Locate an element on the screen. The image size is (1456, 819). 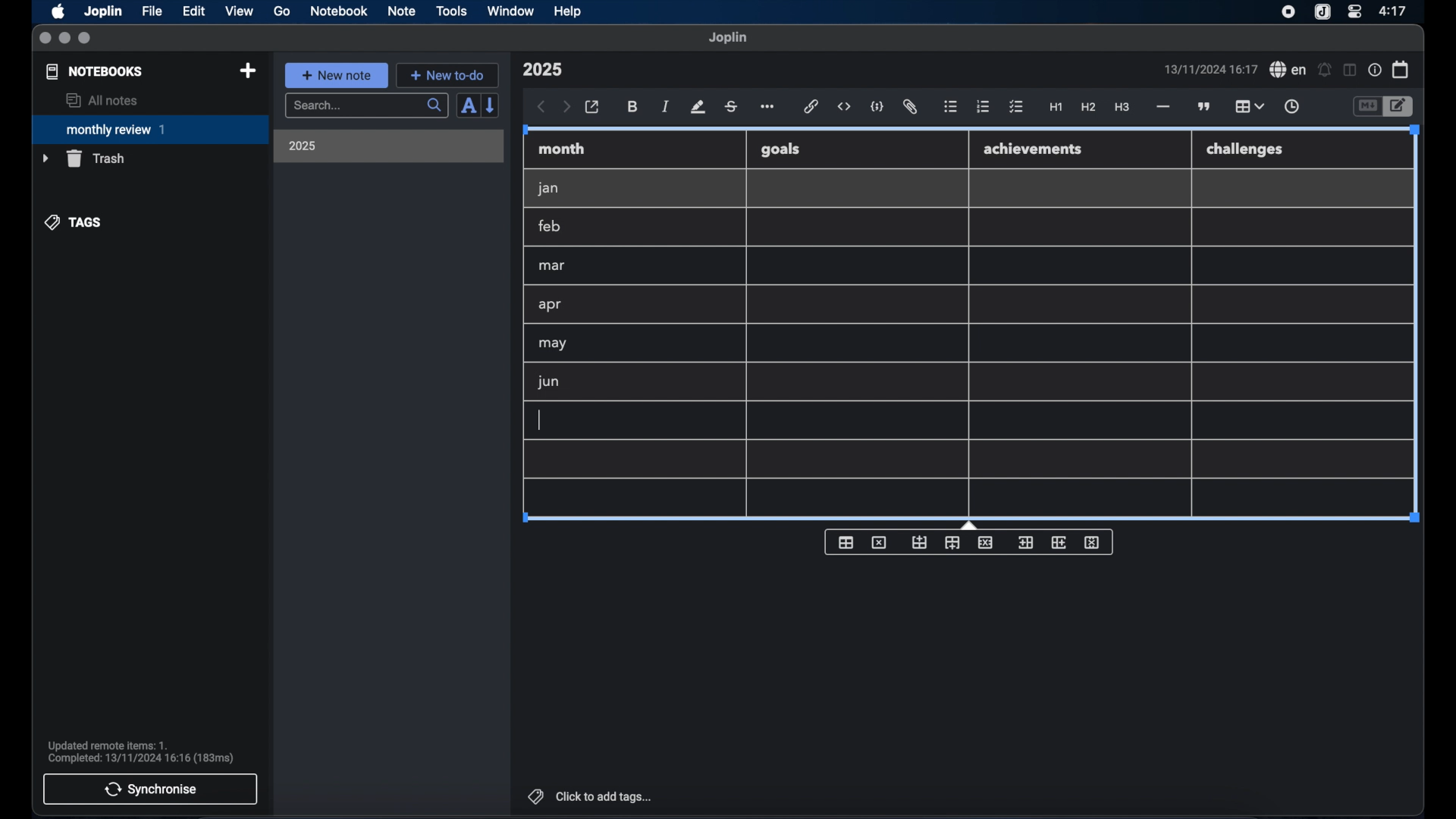
note title is located at coordinates (542, 70).